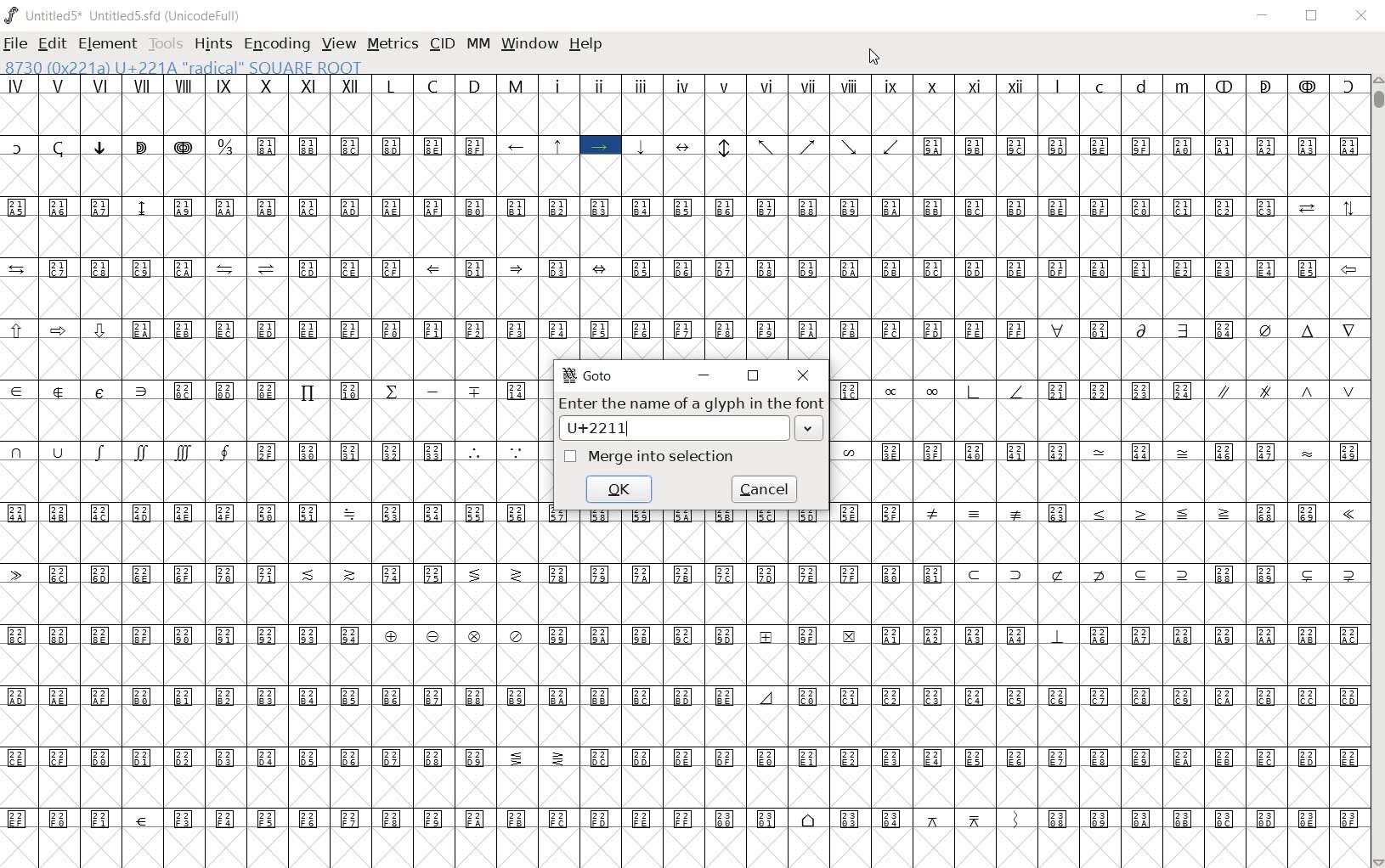 The width and height of the screenshot is (1385, 868). I want to click on TOOLS, so click(164, 42).